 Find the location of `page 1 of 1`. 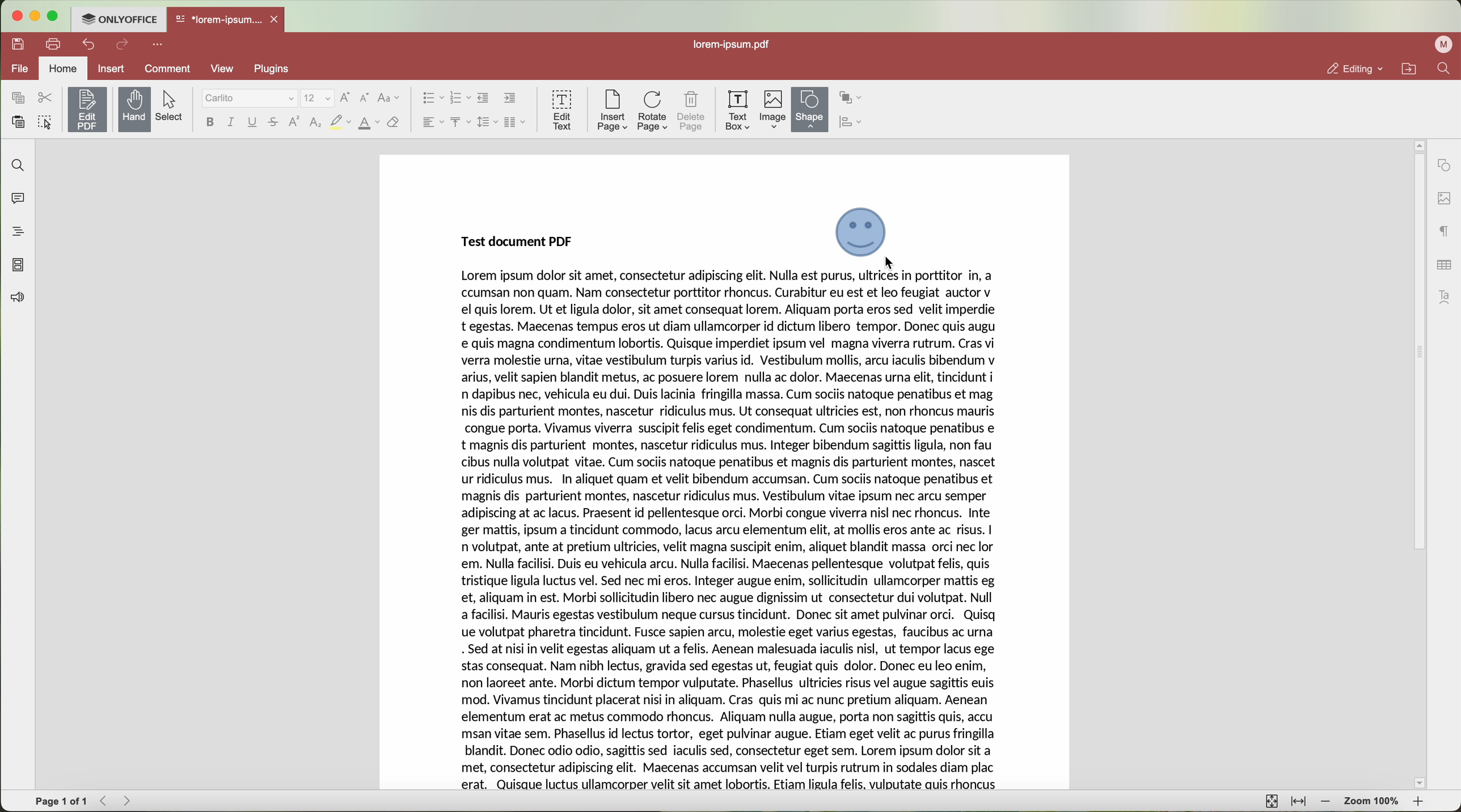

page 1 of 1 is located at coordinates (62, 802).